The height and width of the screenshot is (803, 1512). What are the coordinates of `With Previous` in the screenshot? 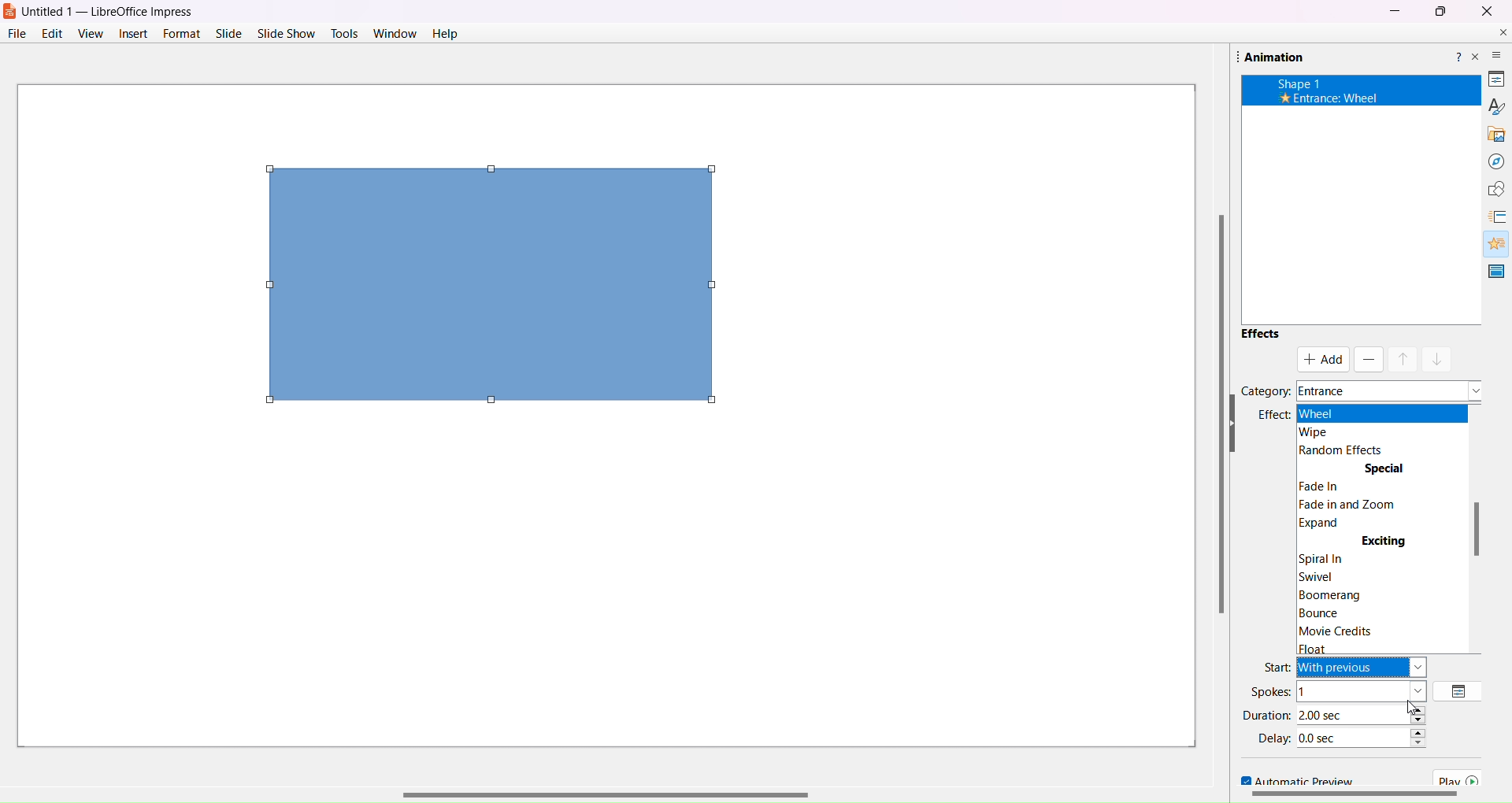 It's located at (1351, 703).